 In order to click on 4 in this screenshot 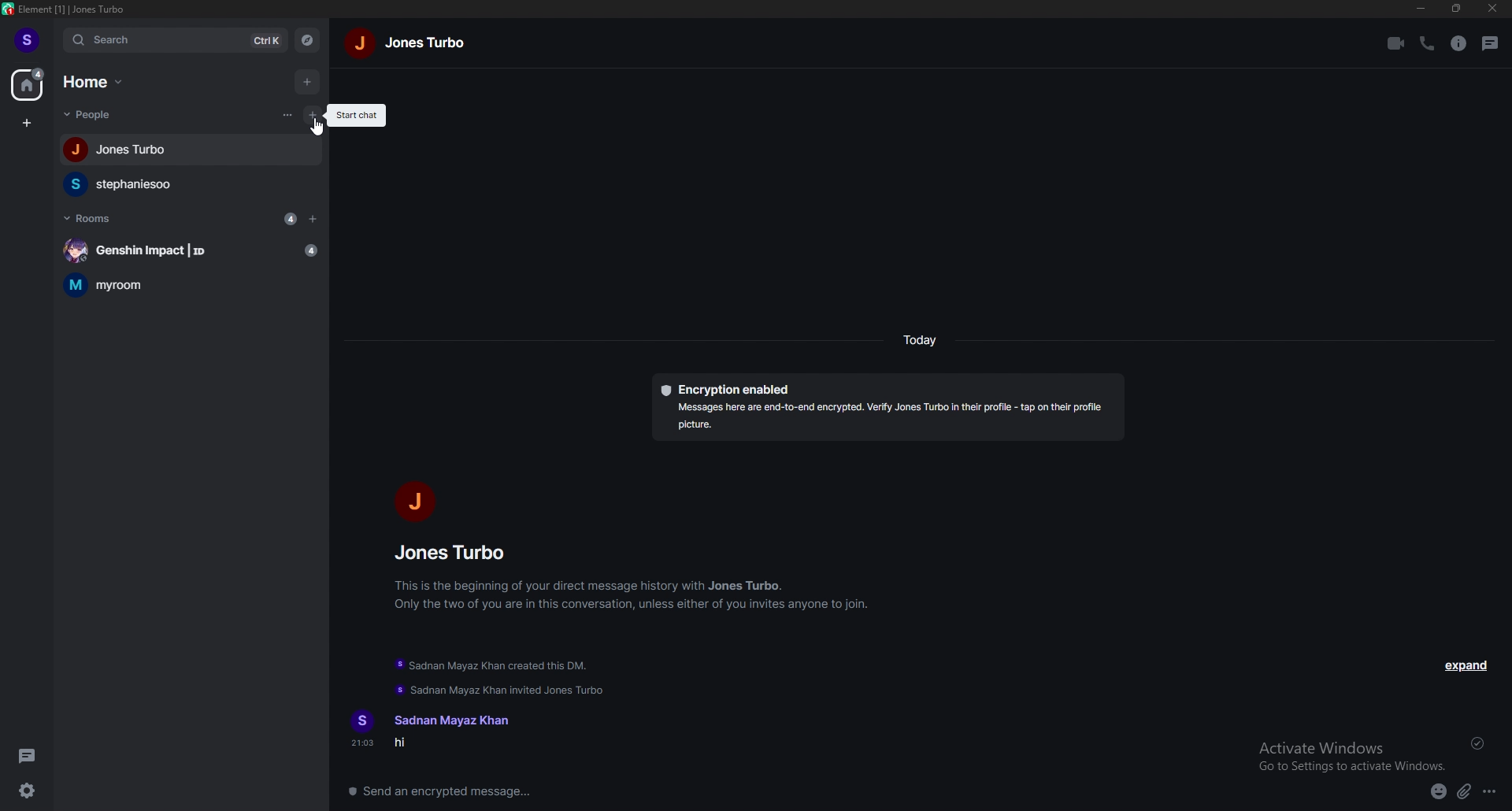, I will do `click(290, 219)`.